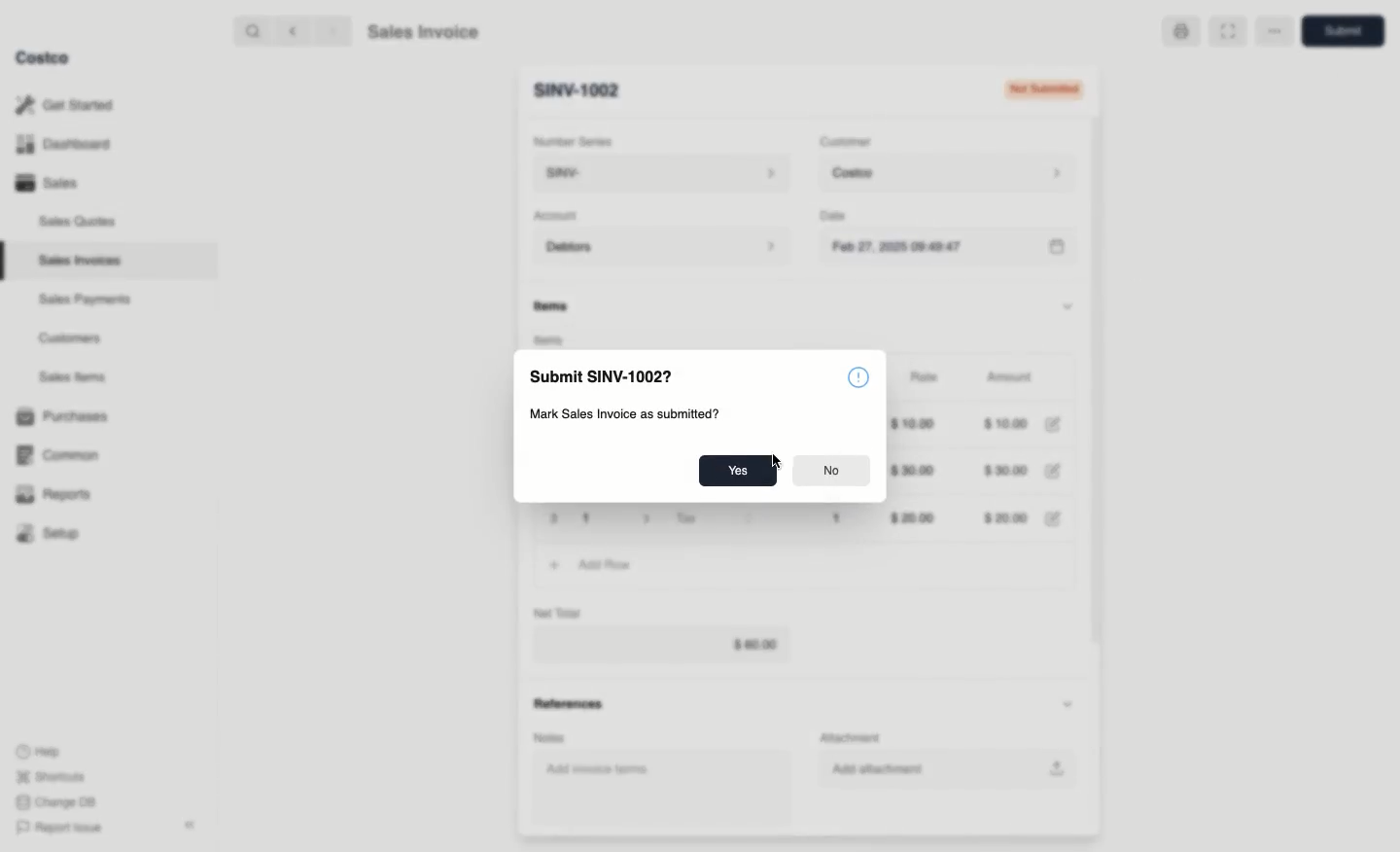  Describe the element at coordinates (79, 221) in the screenshot. I see `Sales Quotes` at that location.